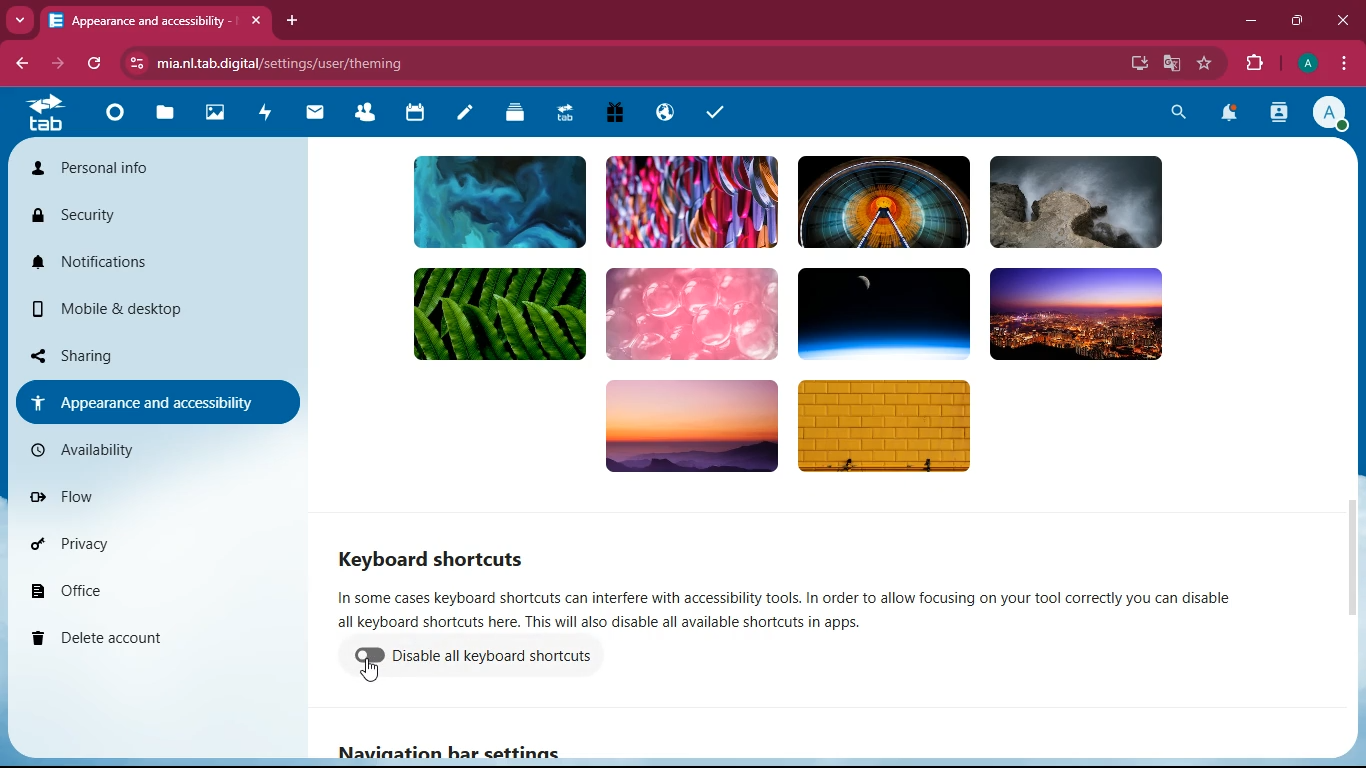  What do you see at coordinates (517, 115) in the screenshot?
I see `layers` at bounding box center [517, 115].